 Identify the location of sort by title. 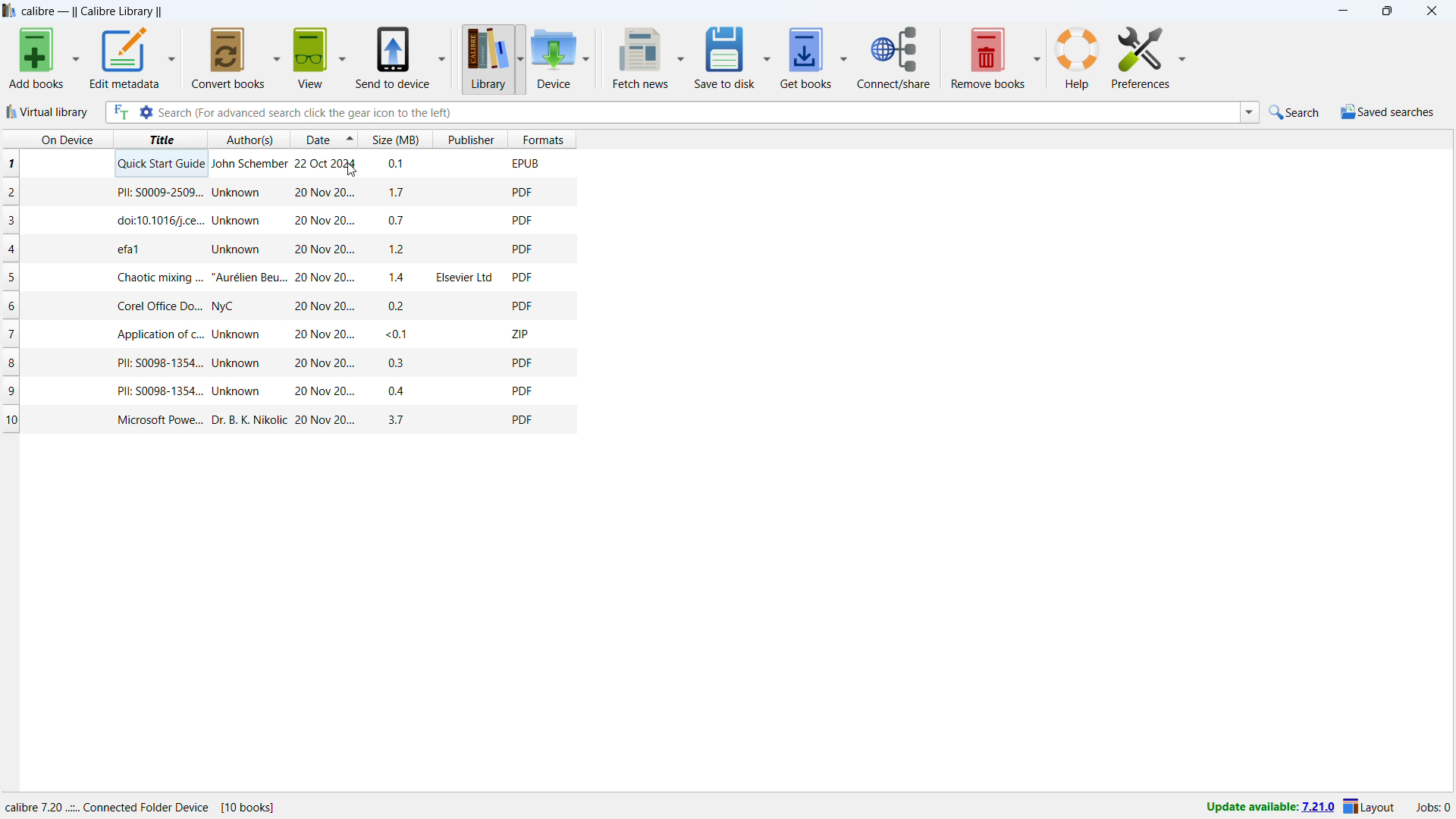
(159, 139).